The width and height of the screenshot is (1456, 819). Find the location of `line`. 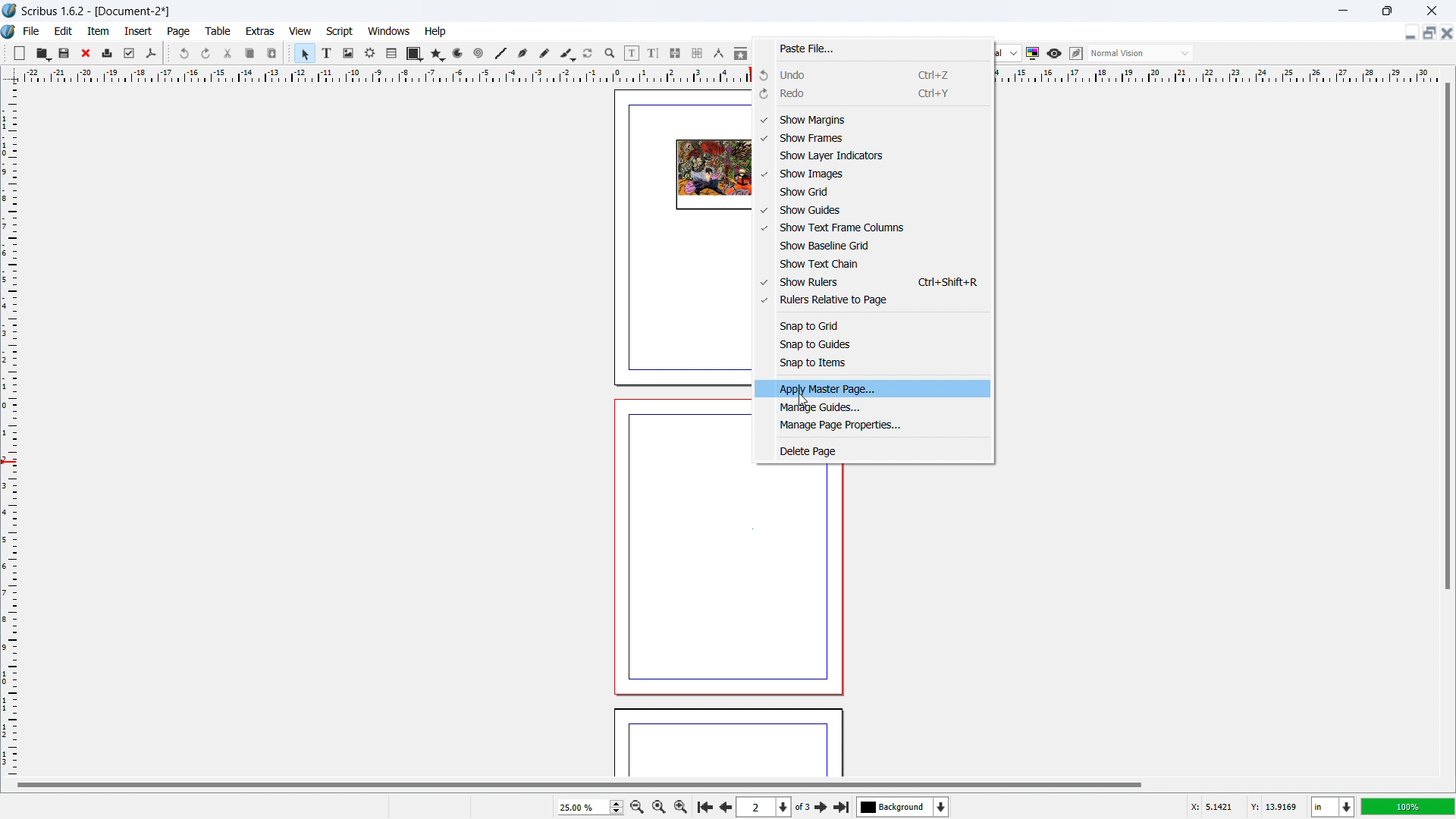

line is located at coordinates (500, 54).